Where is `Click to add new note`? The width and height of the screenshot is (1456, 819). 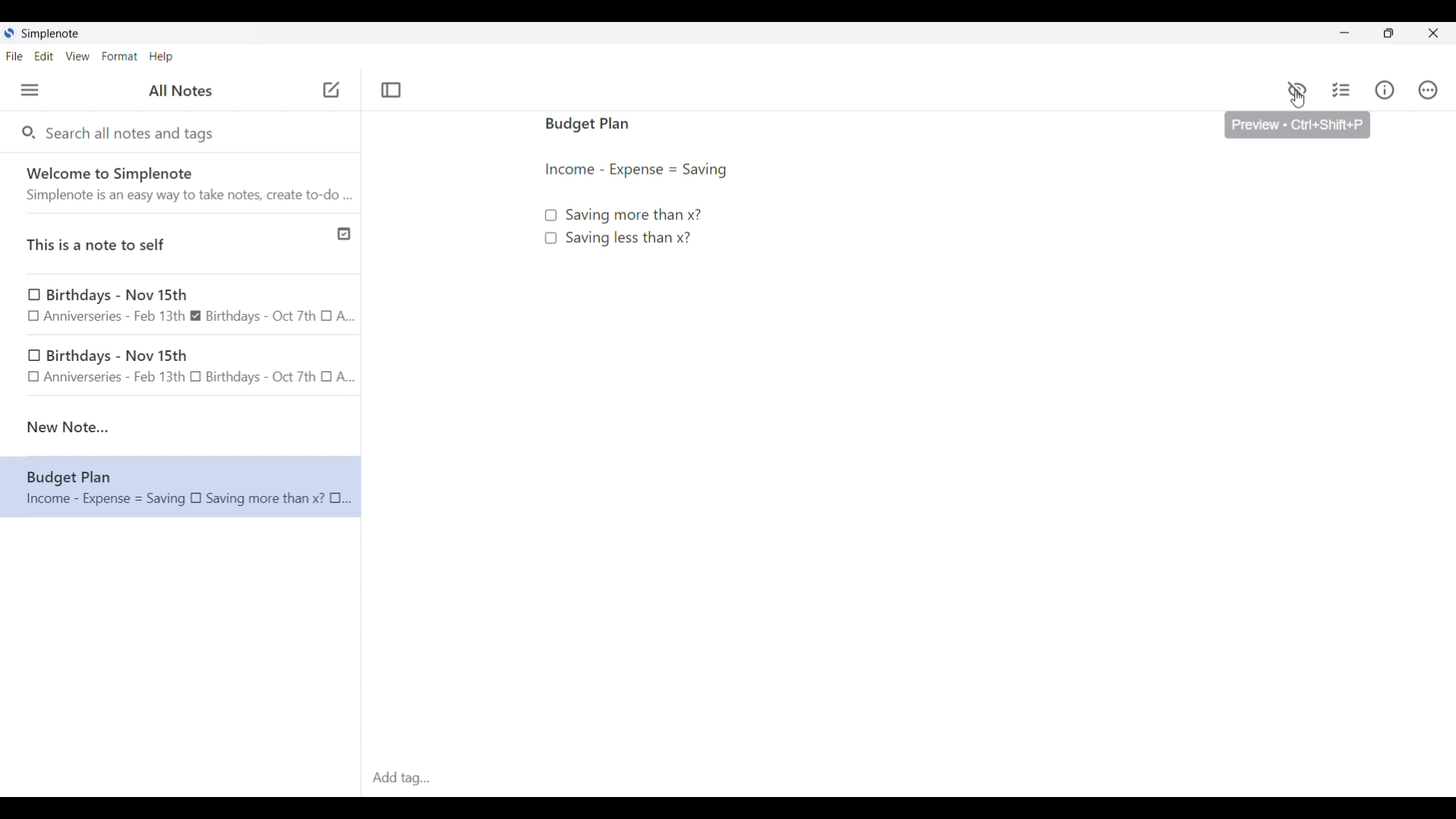
Click to add new note is located at coordinates (331, 89).